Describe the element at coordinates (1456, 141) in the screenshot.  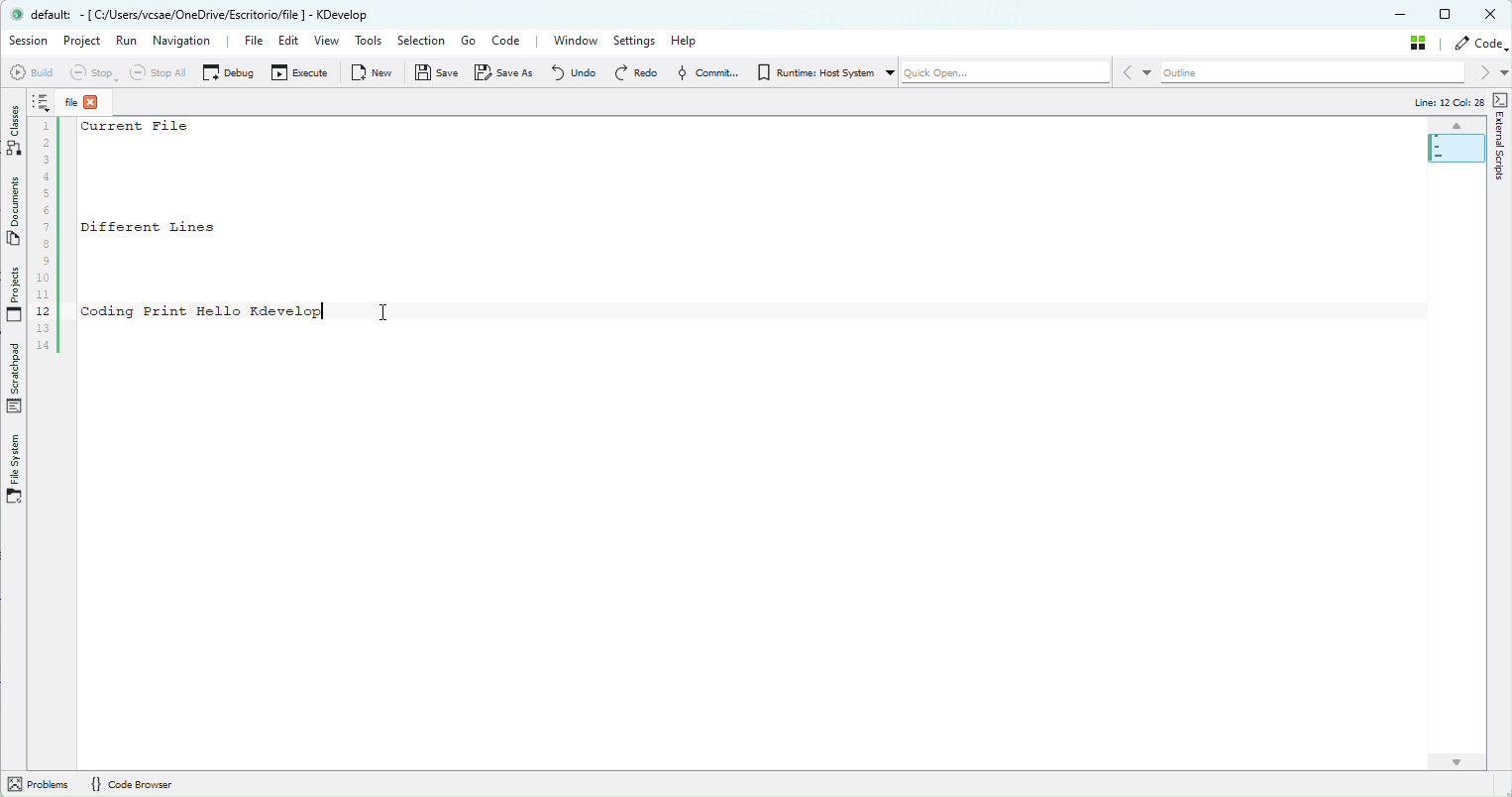
I see `Minimap` at that location.